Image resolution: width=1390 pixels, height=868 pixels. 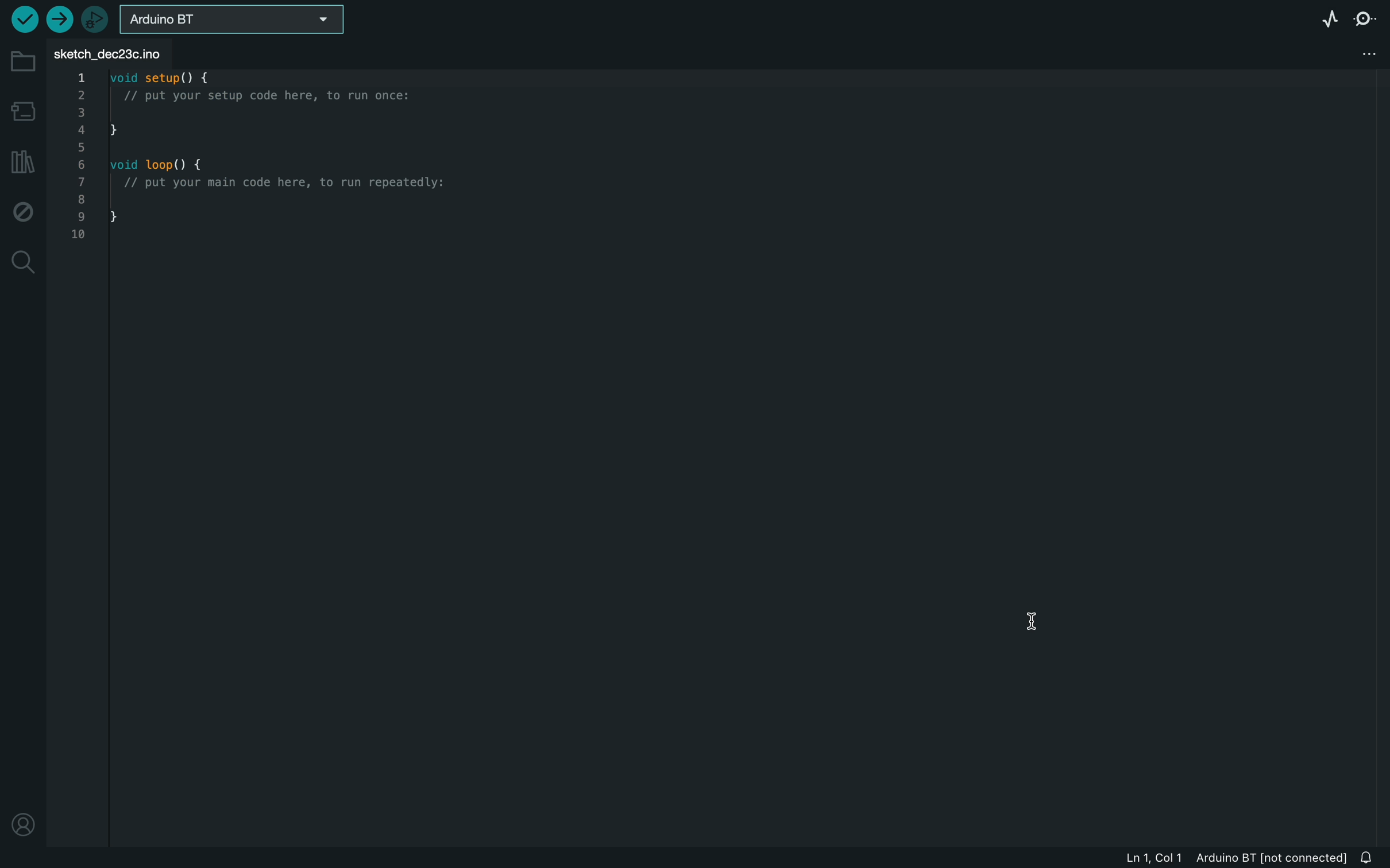 What do you see at coordinates (1032, 627) in the screenshot?
I see `cursor` at bounding box center [1032, 627].